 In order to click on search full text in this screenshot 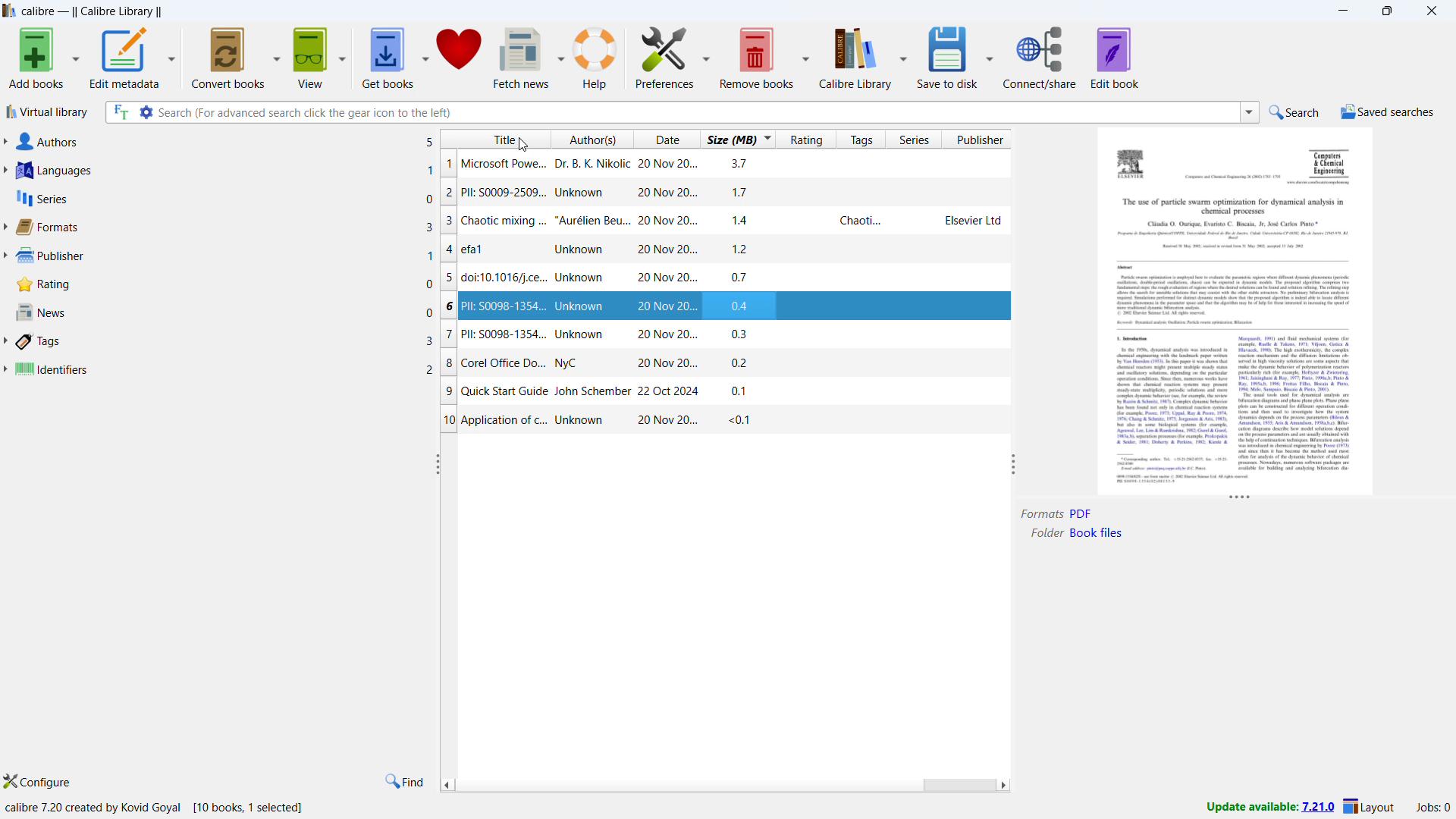, I will do `click(118, 113)`.